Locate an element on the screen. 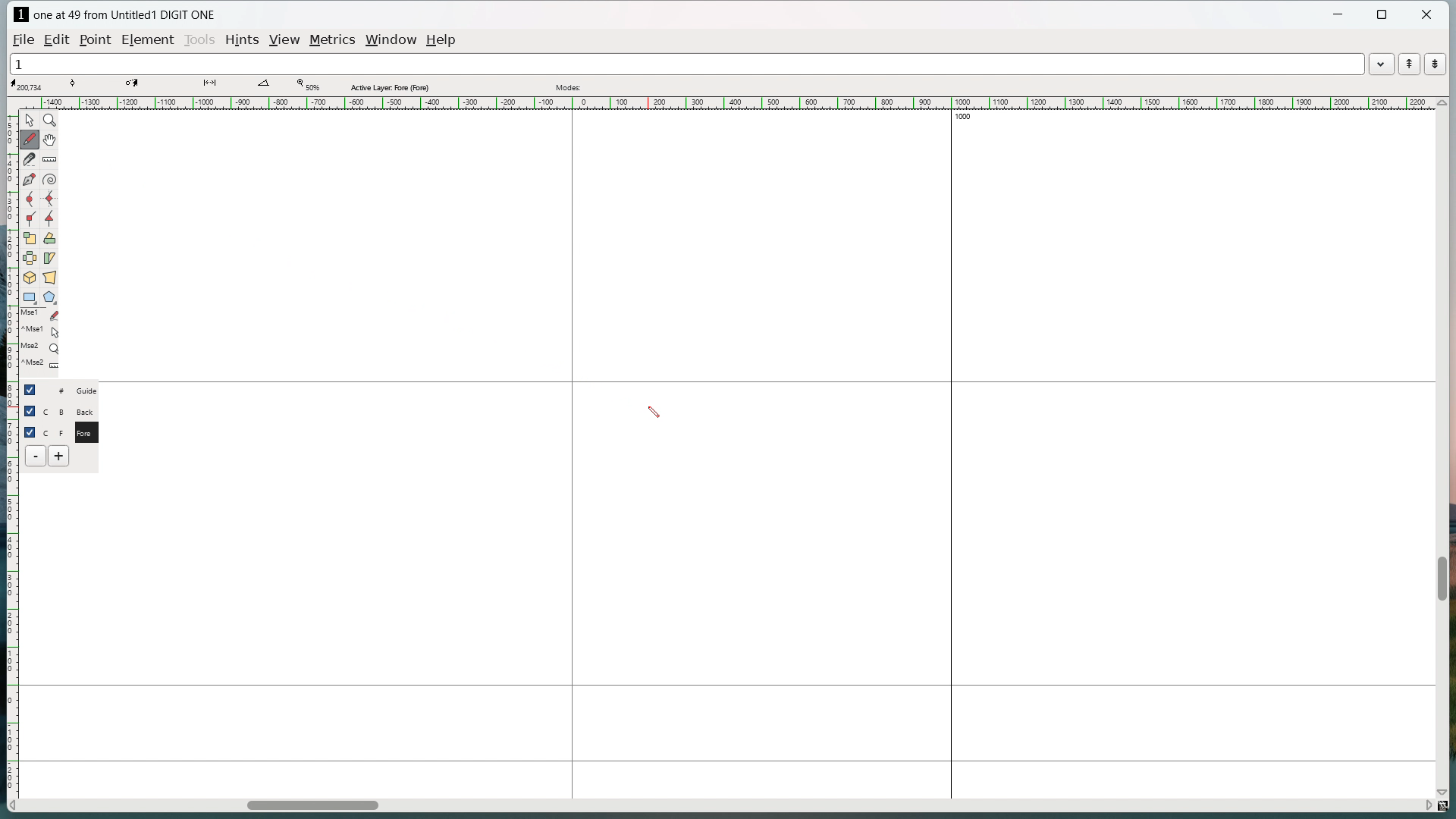 This screenshot has width=1456, height=819. horizontal ruler is located at coordinates (725, 102).